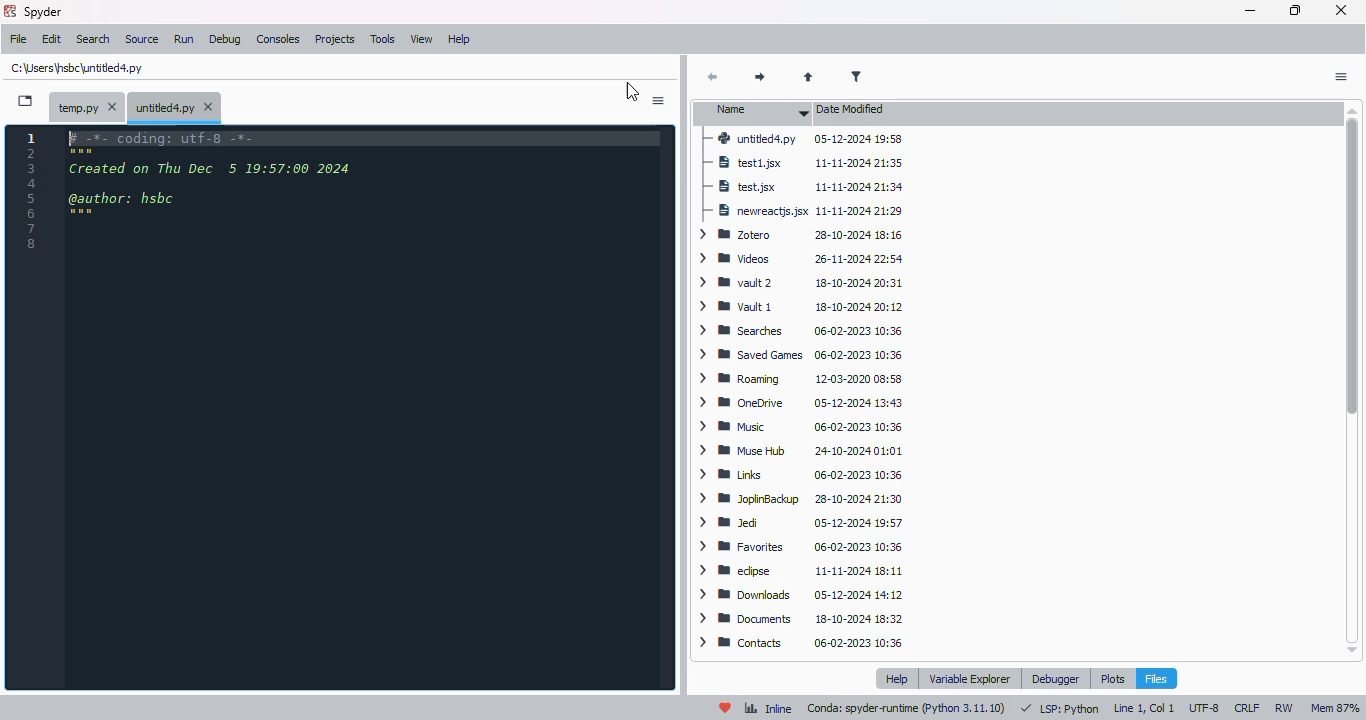 The height and width of the screenshot is (720, 1366). What do you see at coordinates (142, 39) in the screenshot?
I see `source` at bounding box center [142, 39].